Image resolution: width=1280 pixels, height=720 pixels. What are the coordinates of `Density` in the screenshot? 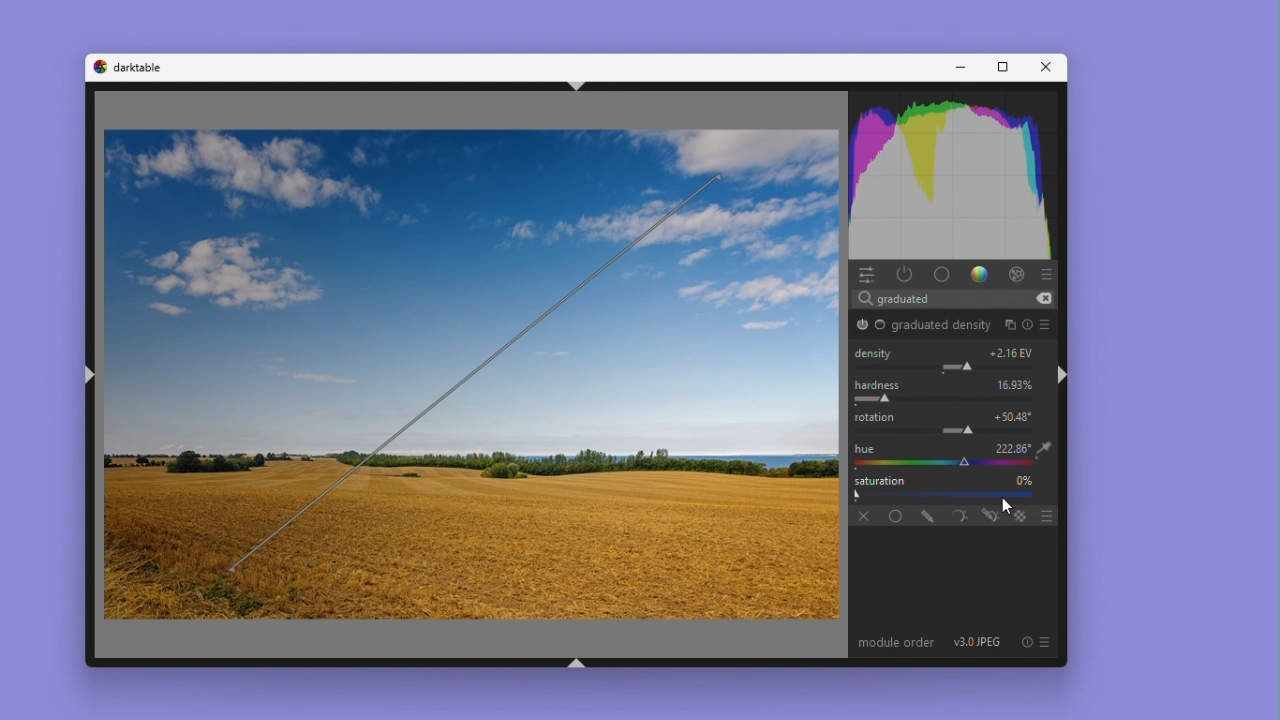 It's located at (876, 352).